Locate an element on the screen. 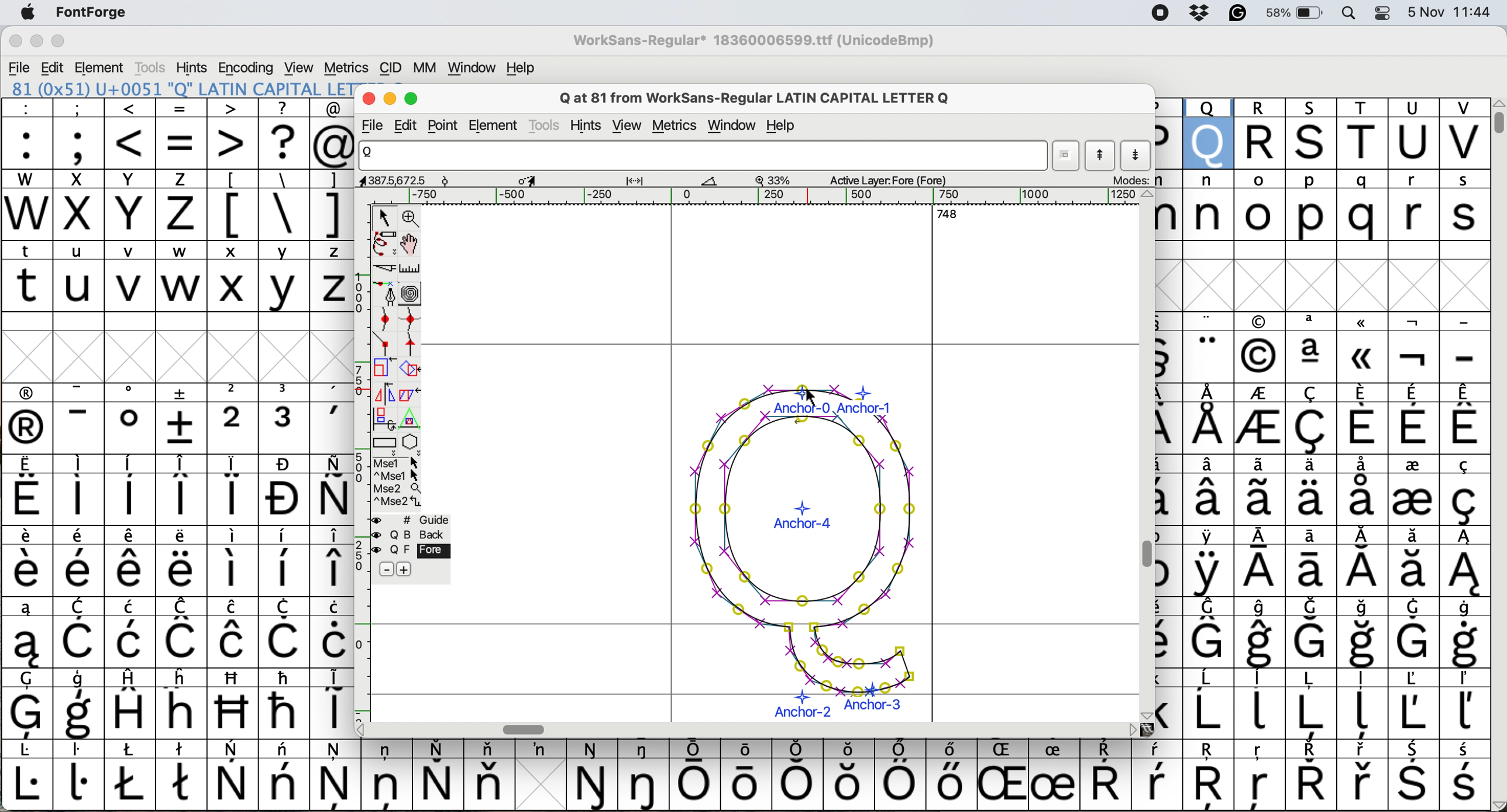 The height and width of the screenshot is (812, 1507). 58% is located at coordinates (1298, 14).